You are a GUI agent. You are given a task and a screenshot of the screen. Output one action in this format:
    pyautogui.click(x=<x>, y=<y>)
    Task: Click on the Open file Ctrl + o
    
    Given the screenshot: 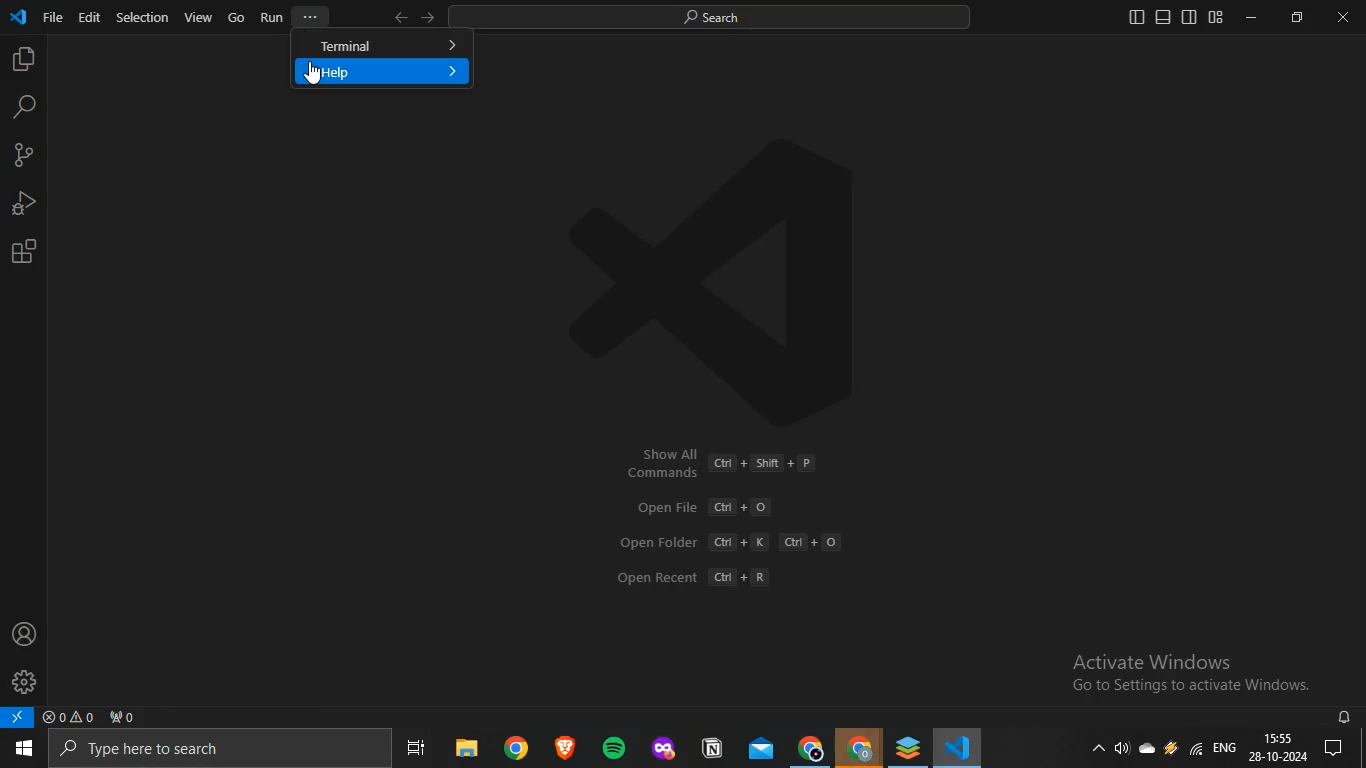 What is the action you would take?
    pyautogui.click(x=702, y=507)
    